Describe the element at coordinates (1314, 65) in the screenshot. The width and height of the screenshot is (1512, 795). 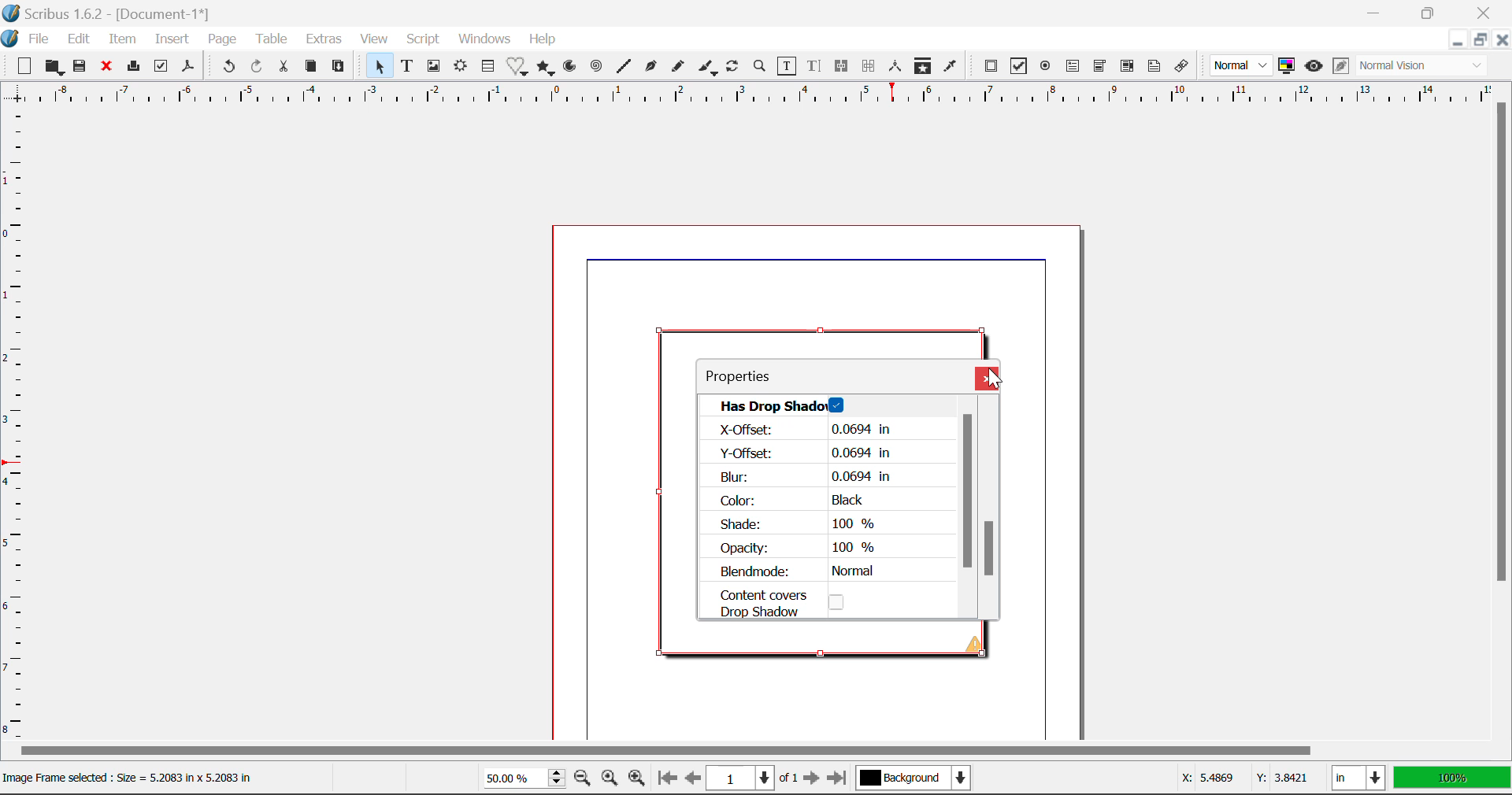
I see `Preview` at that location.